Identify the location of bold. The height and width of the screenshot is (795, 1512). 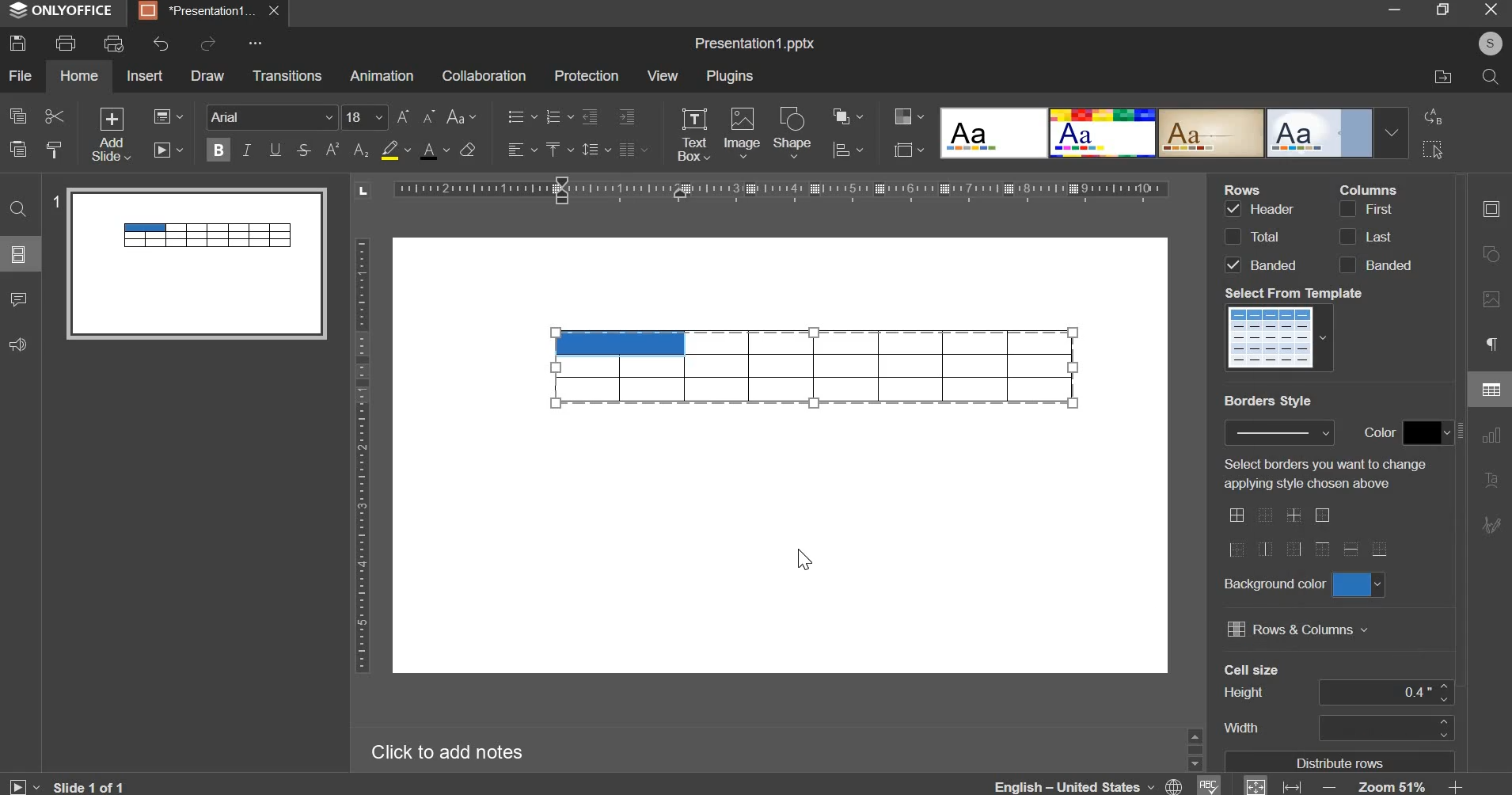
(218, 147).